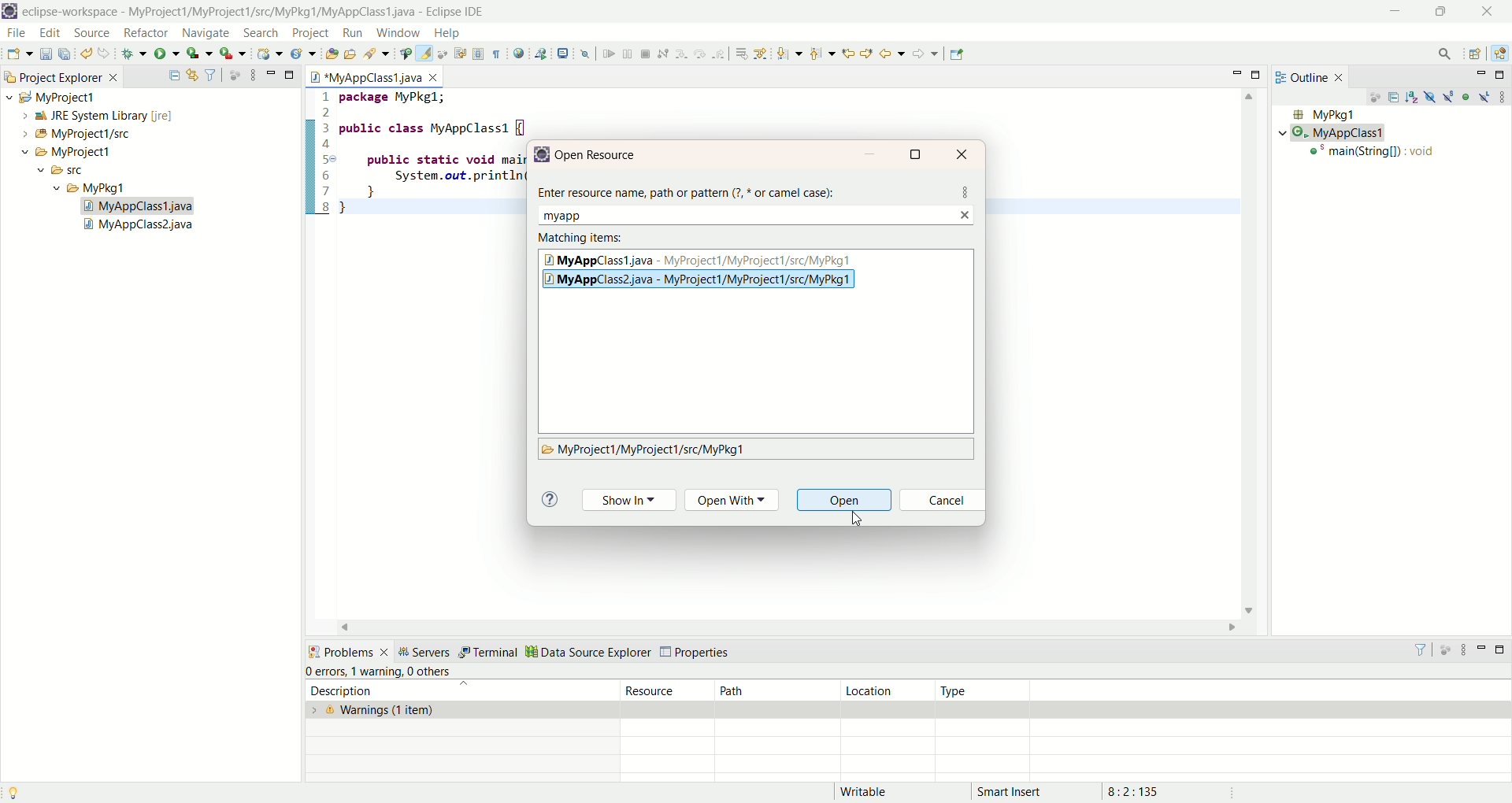 This screenshot has height=803, width=1512. I want to click on MyAppClass1.java, so click(139, 206).